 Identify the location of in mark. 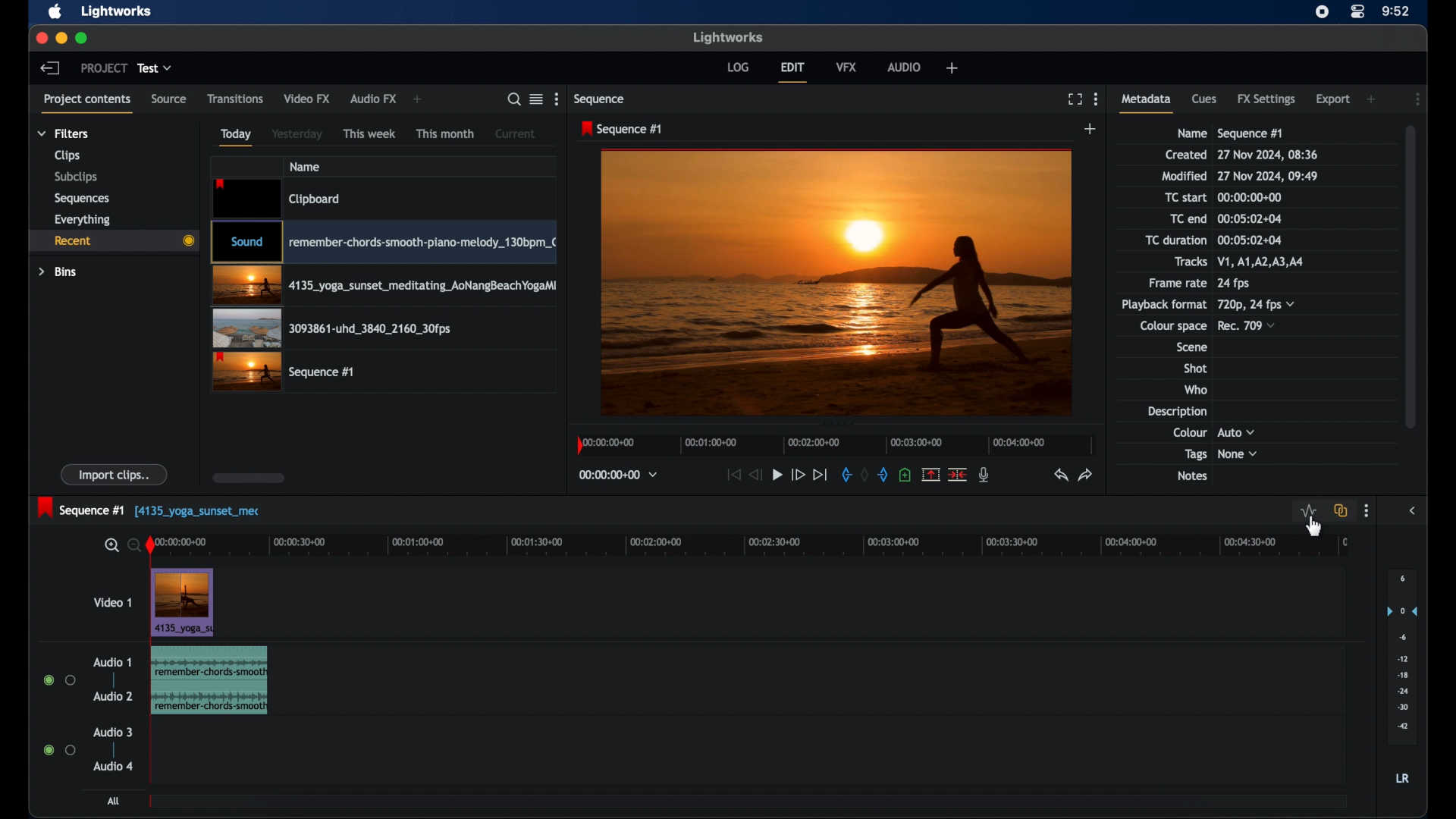
(845, 474).